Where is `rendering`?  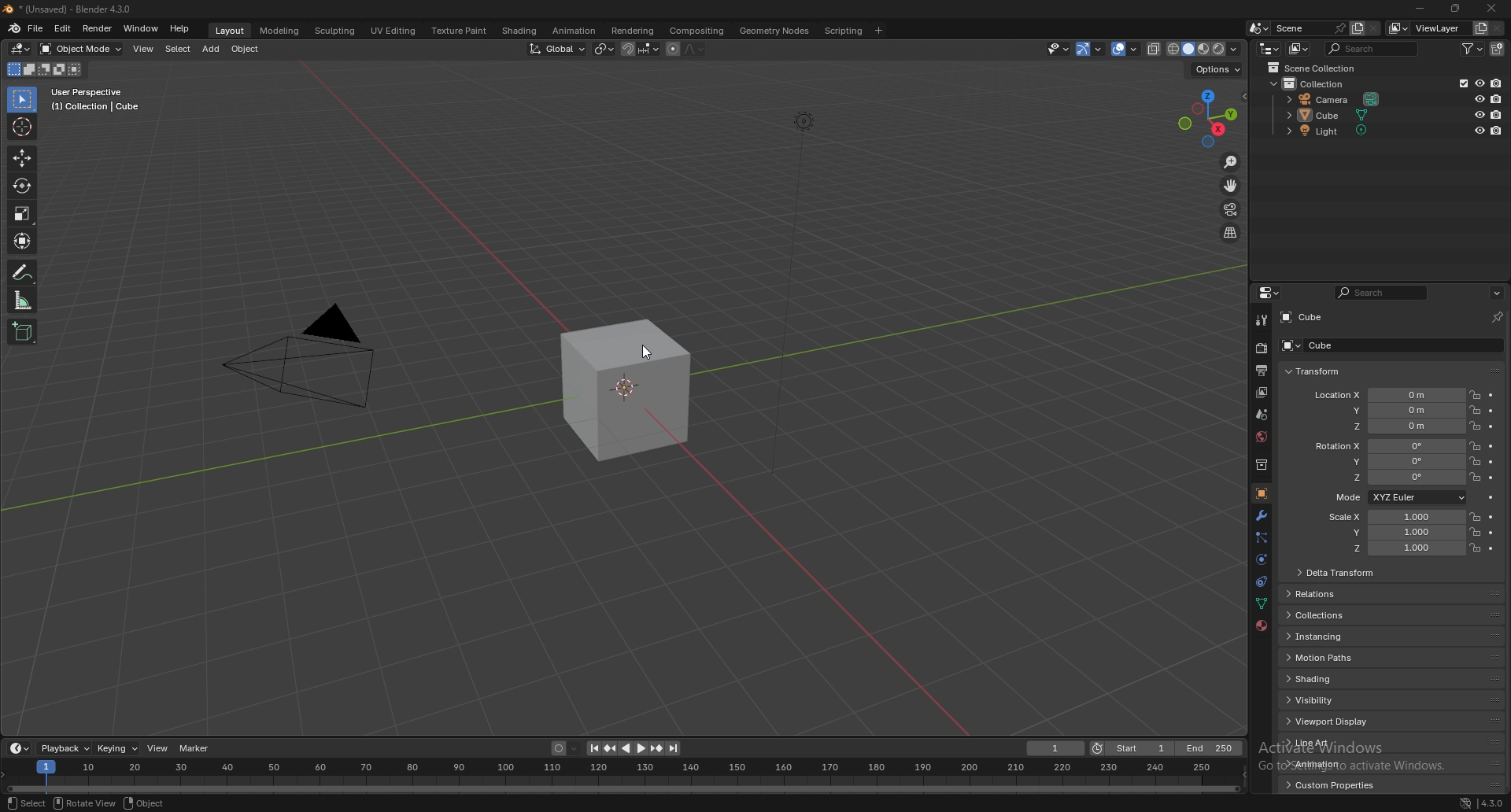 rendering is located at coordinates (634, 31).